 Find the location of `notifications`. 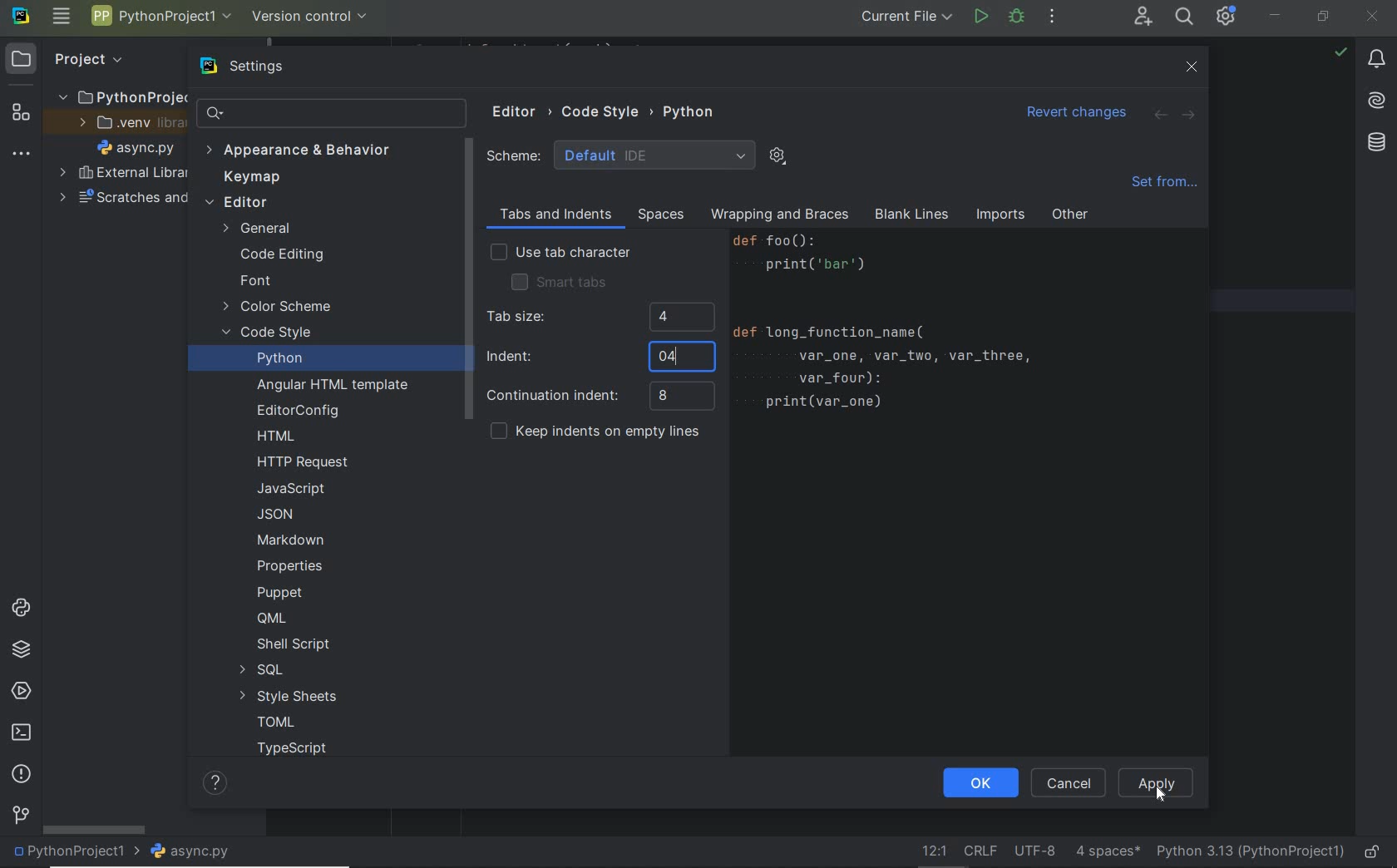

notifications is located at coordinates (1376, 60).